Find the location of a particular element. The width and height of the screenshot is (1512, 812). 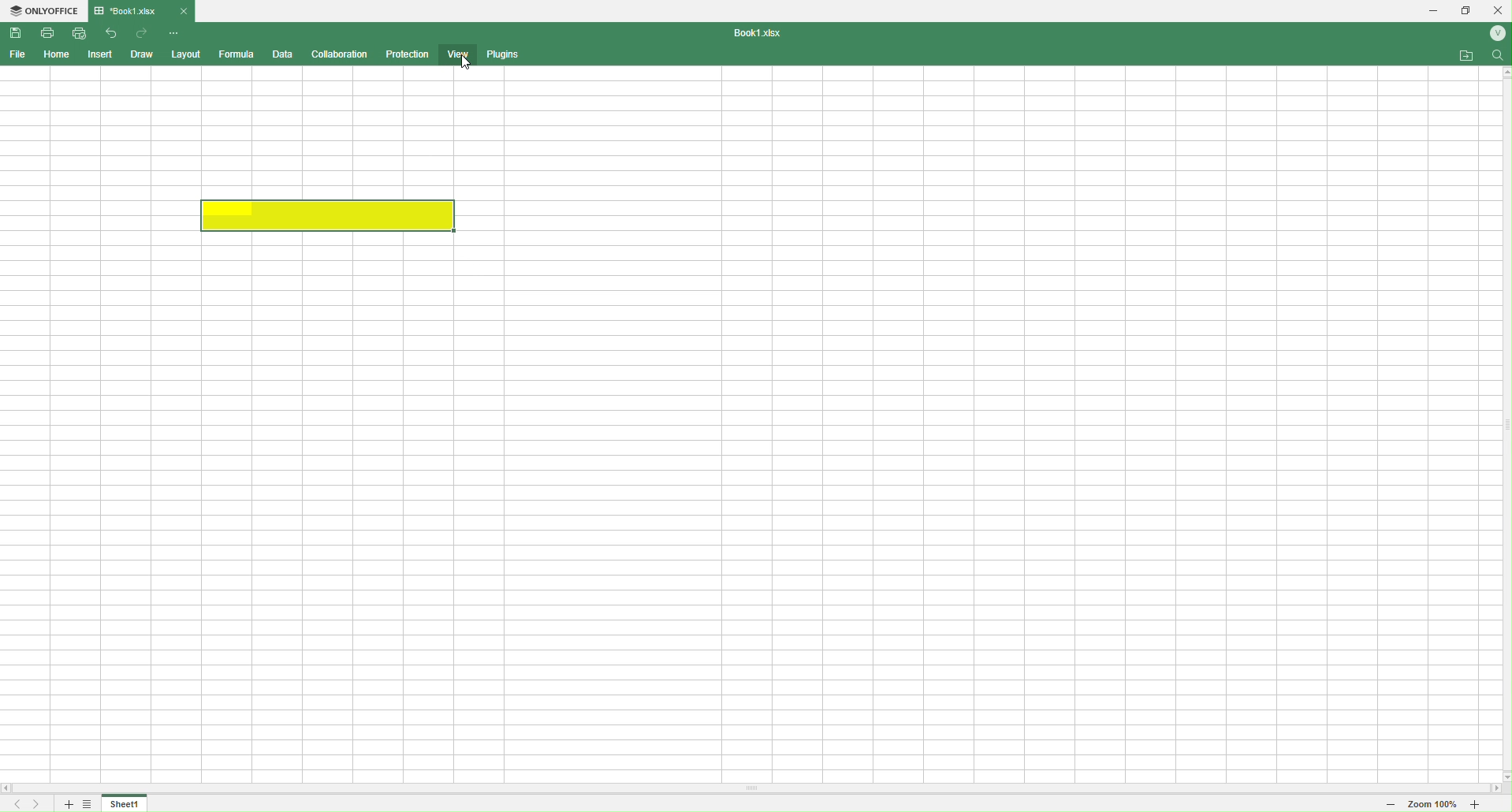

ONLYOFFICE is located at coordinates (44, 12).